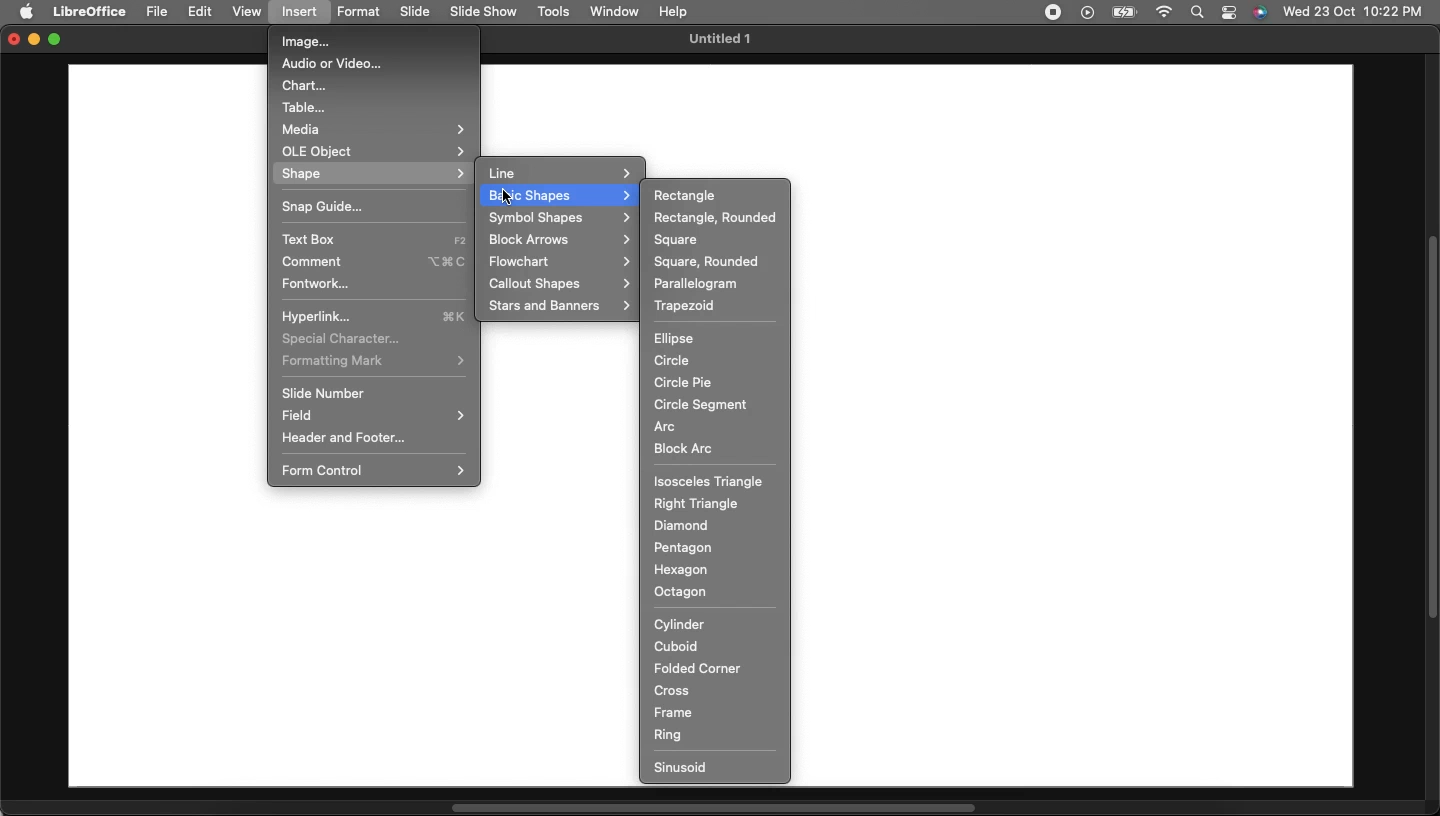 This screenshot has height=816, width=1440. I want to click on LibreOffice, so click(90, 9).